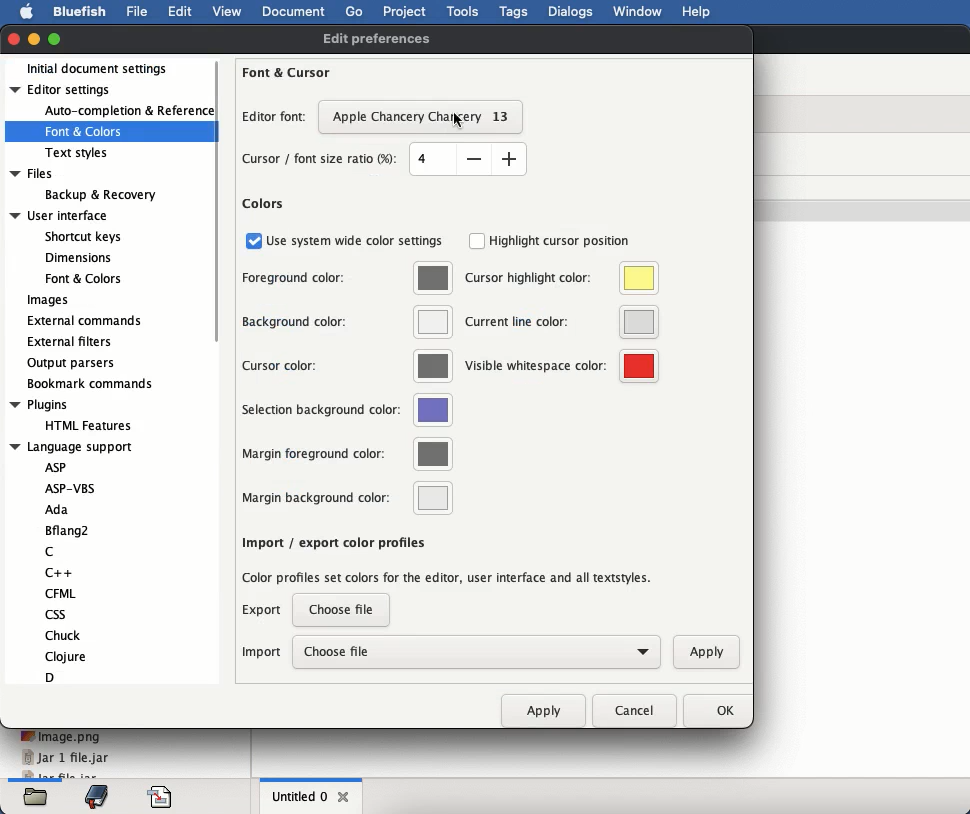  What do you see at coordinates (90, 384) in the screenshot?
I see `bookmark commands` at bounding box center [90, 384].